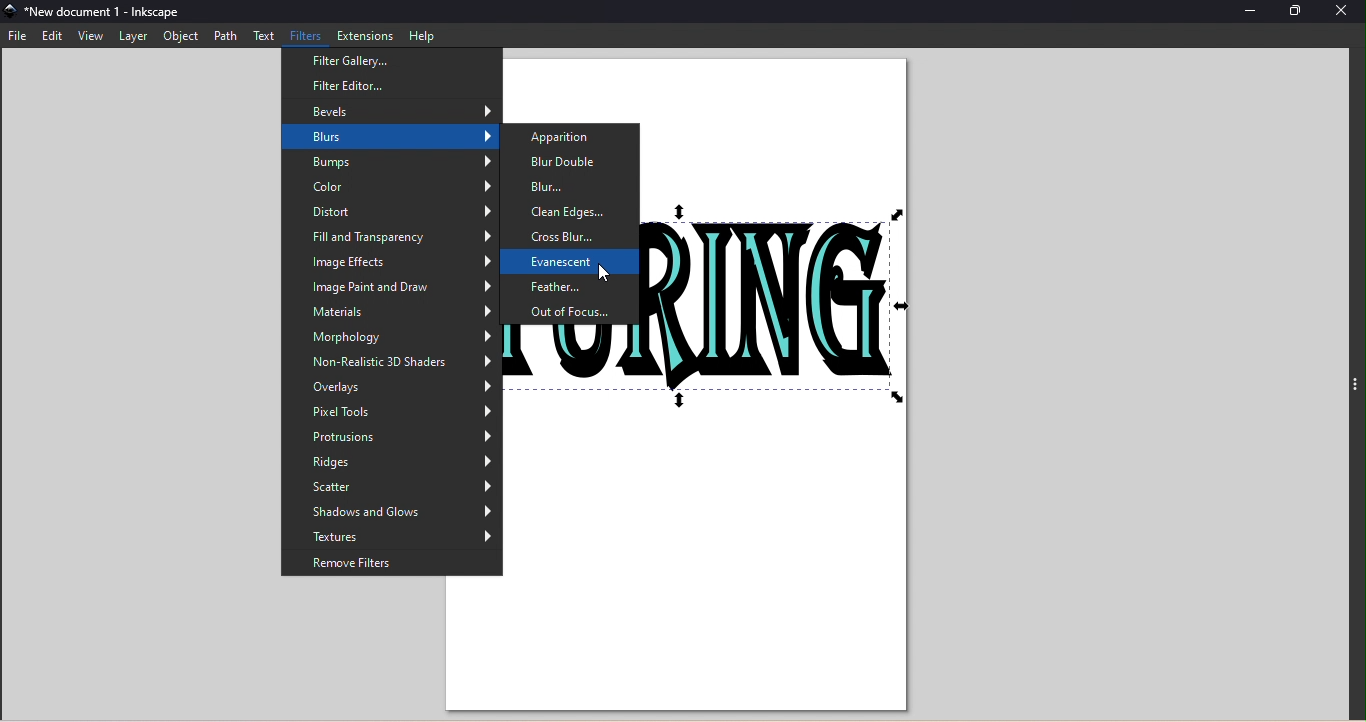 This screenshot has width=1366, height=722. I want to click on Filter editor, so click(387, 86).